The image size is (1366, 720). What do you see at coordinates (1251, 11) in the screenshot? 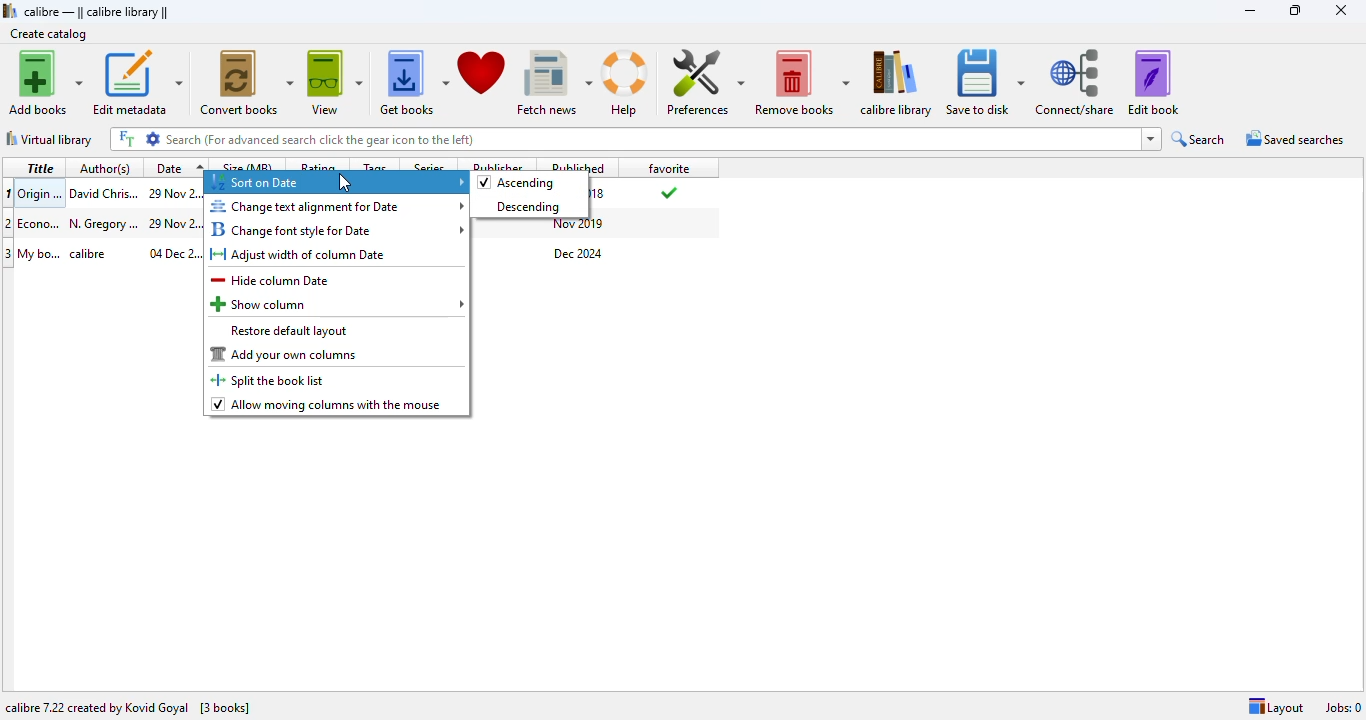
I see `minimize` at bounding box center [1251, 11].